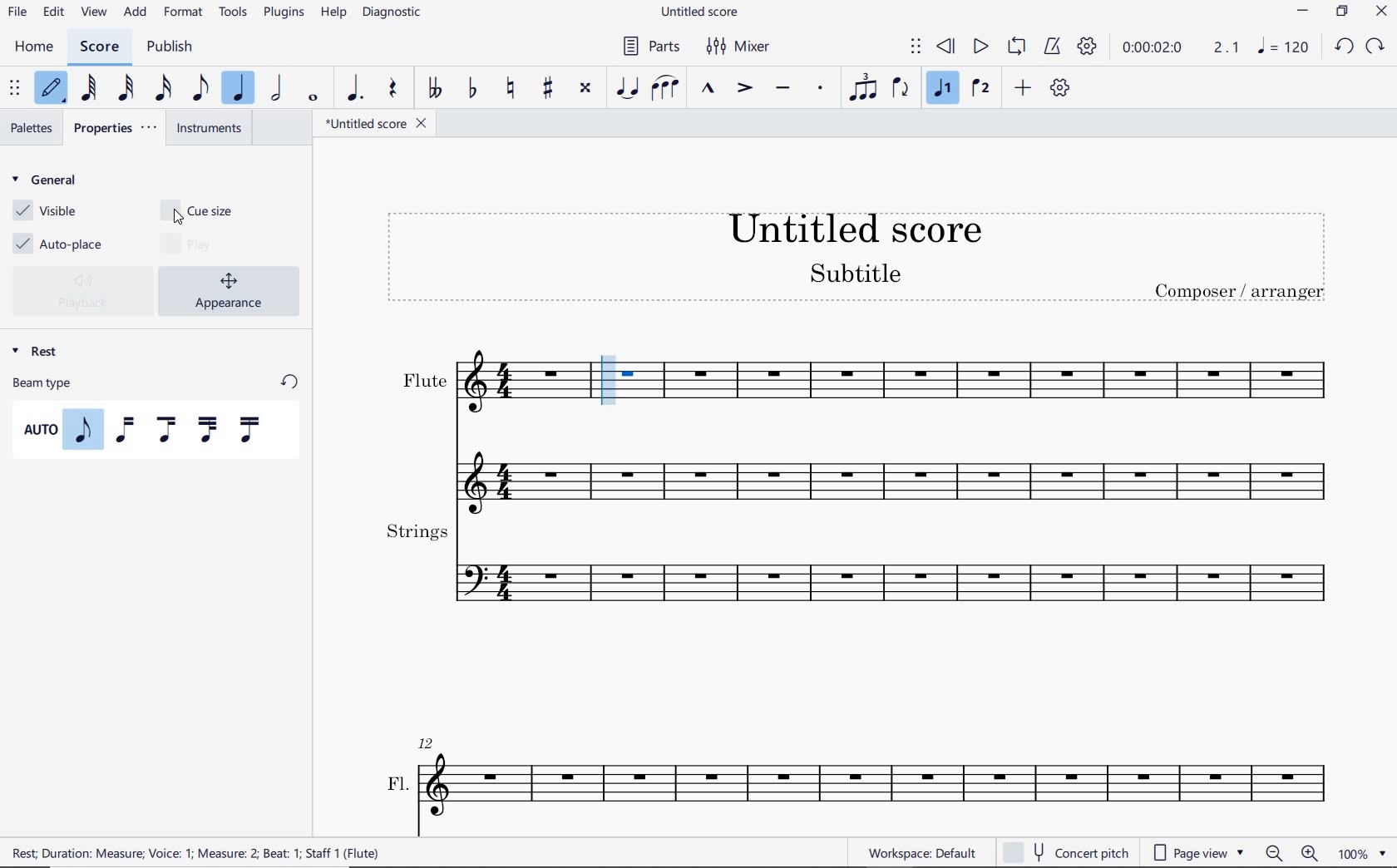  What do you see at coordinates (654, 47) in the screenshot?
I see `PARTS` at bounding box center [654, 47].